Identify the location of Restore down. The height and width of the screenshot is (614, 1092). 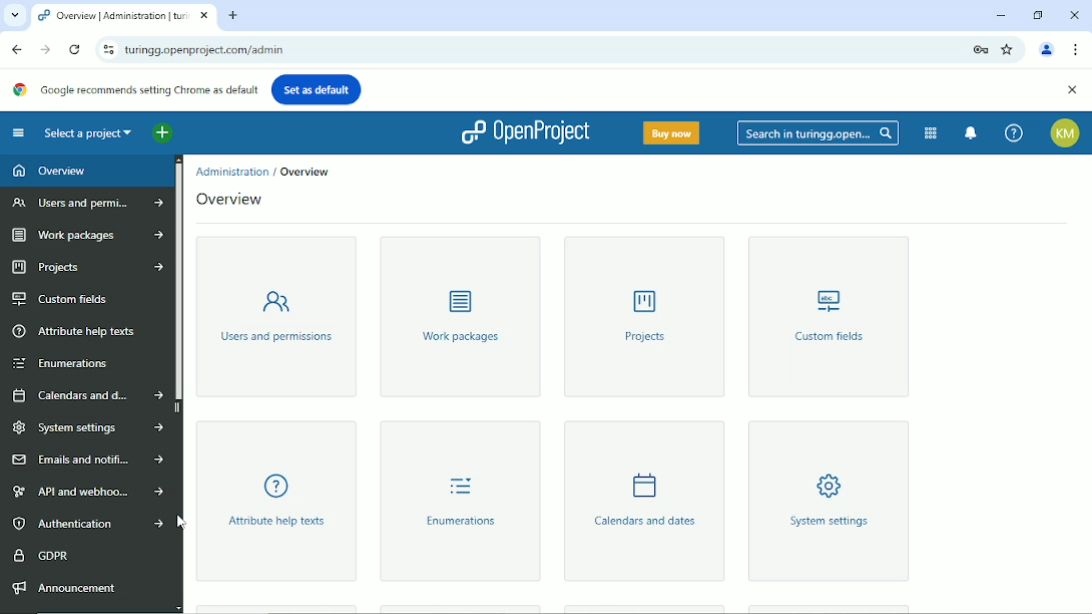
(1038, 14).